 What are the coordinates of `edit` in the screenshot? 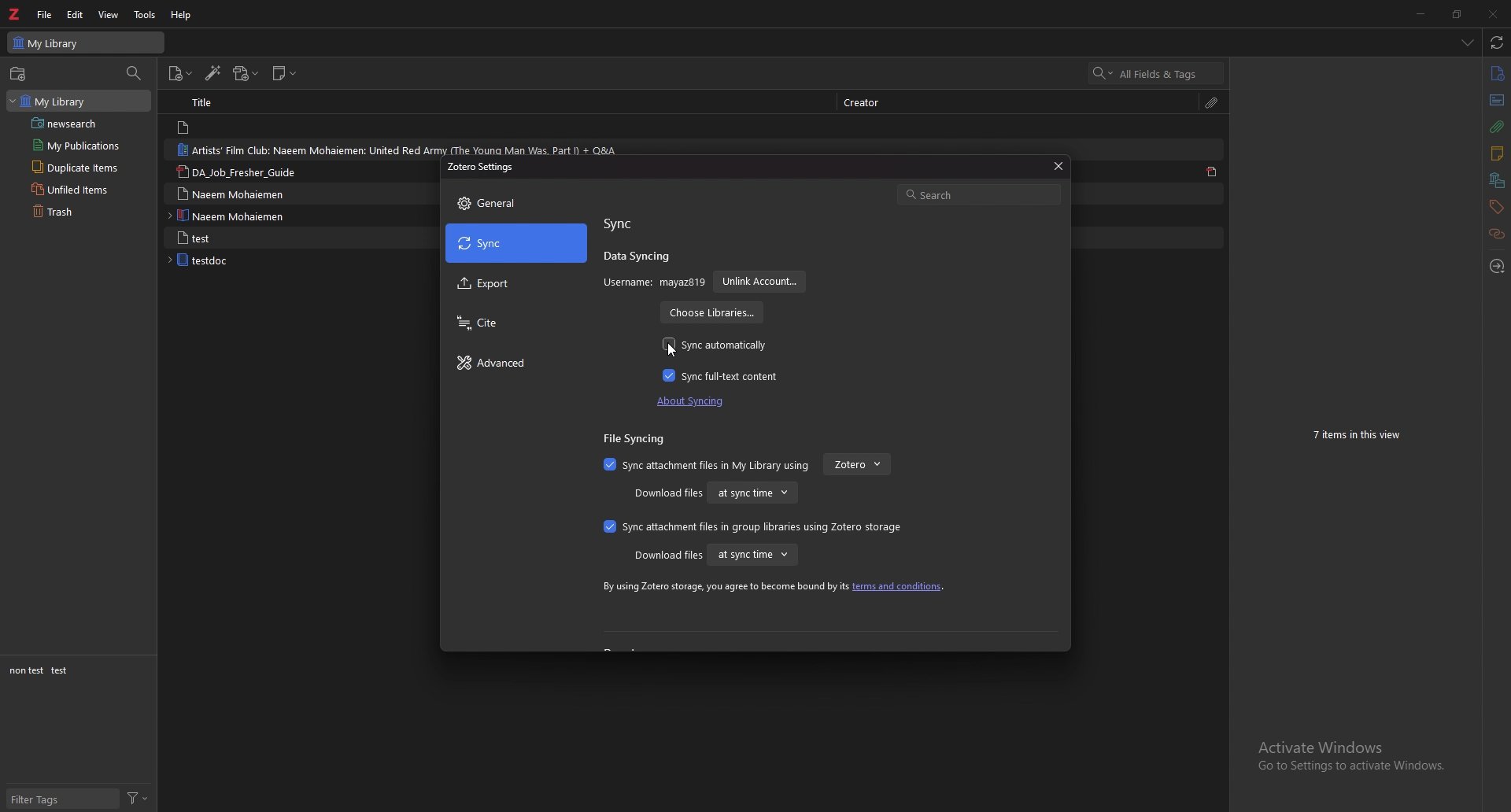 It's located at (76, 14).